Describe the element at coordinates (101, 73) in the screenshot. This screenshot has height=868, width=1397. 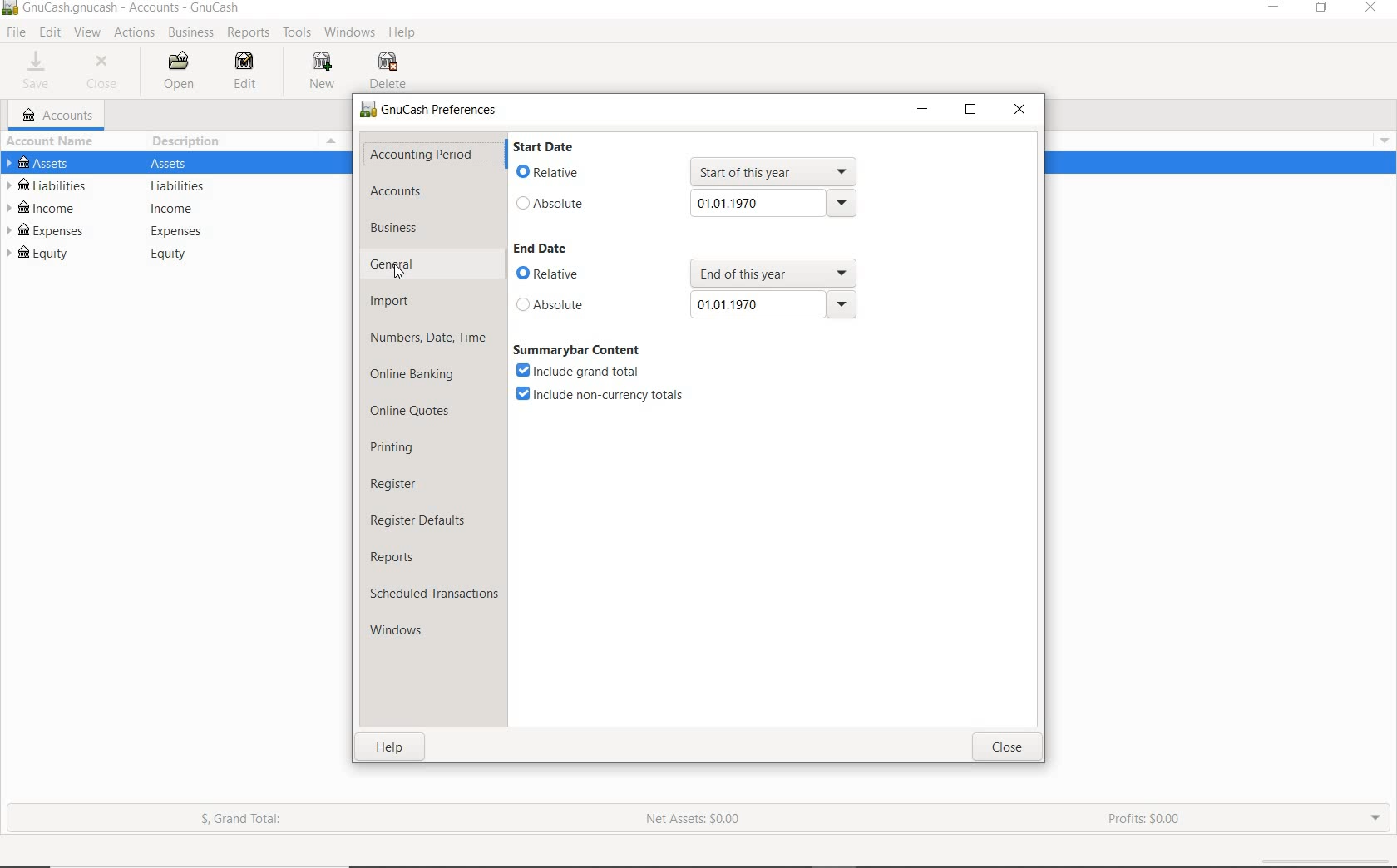
I see `CLOSE` at that location.